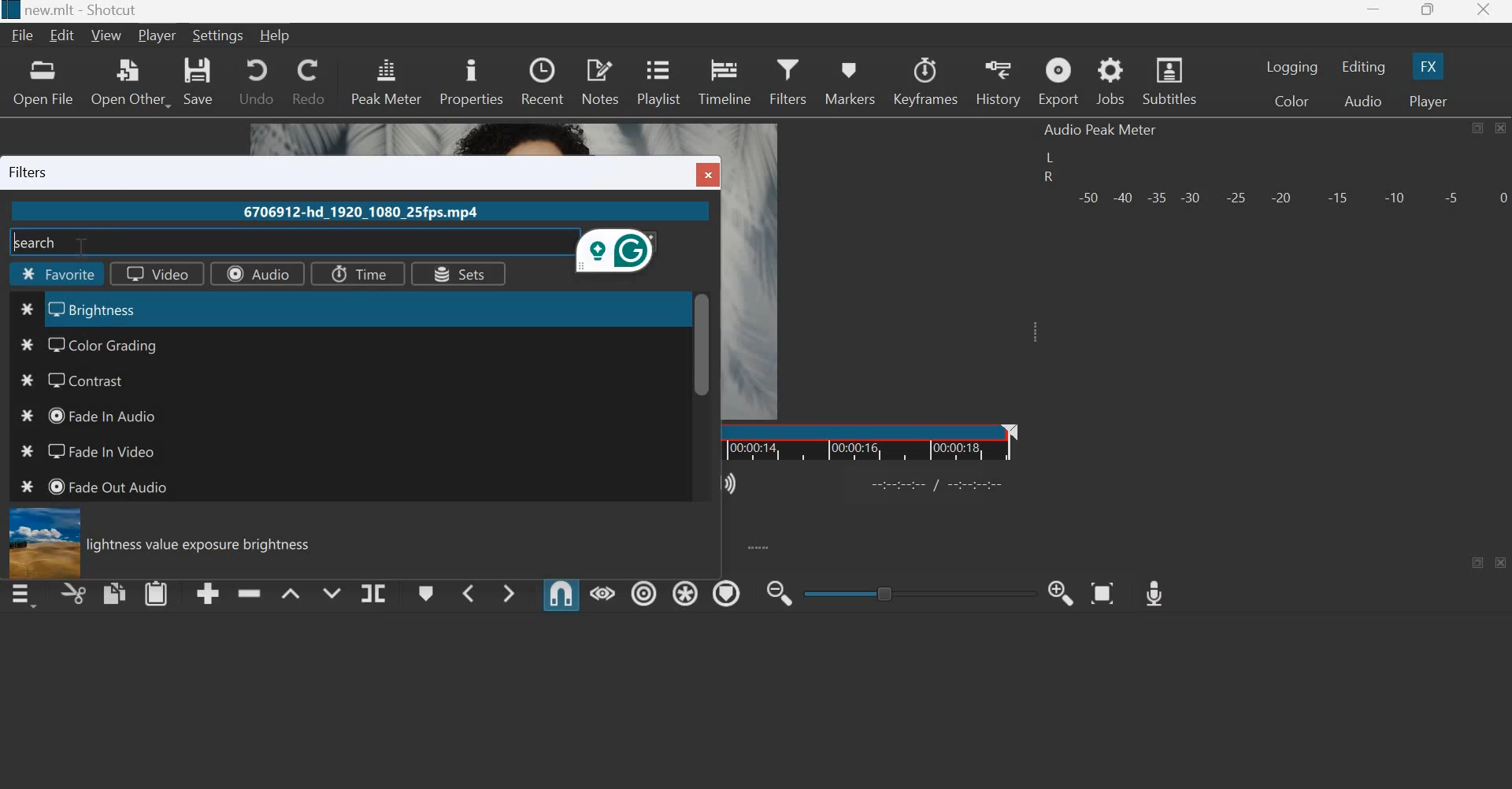 The height and width of the screenshot is (789, 1512). I want to click on append, so click(209, 593).